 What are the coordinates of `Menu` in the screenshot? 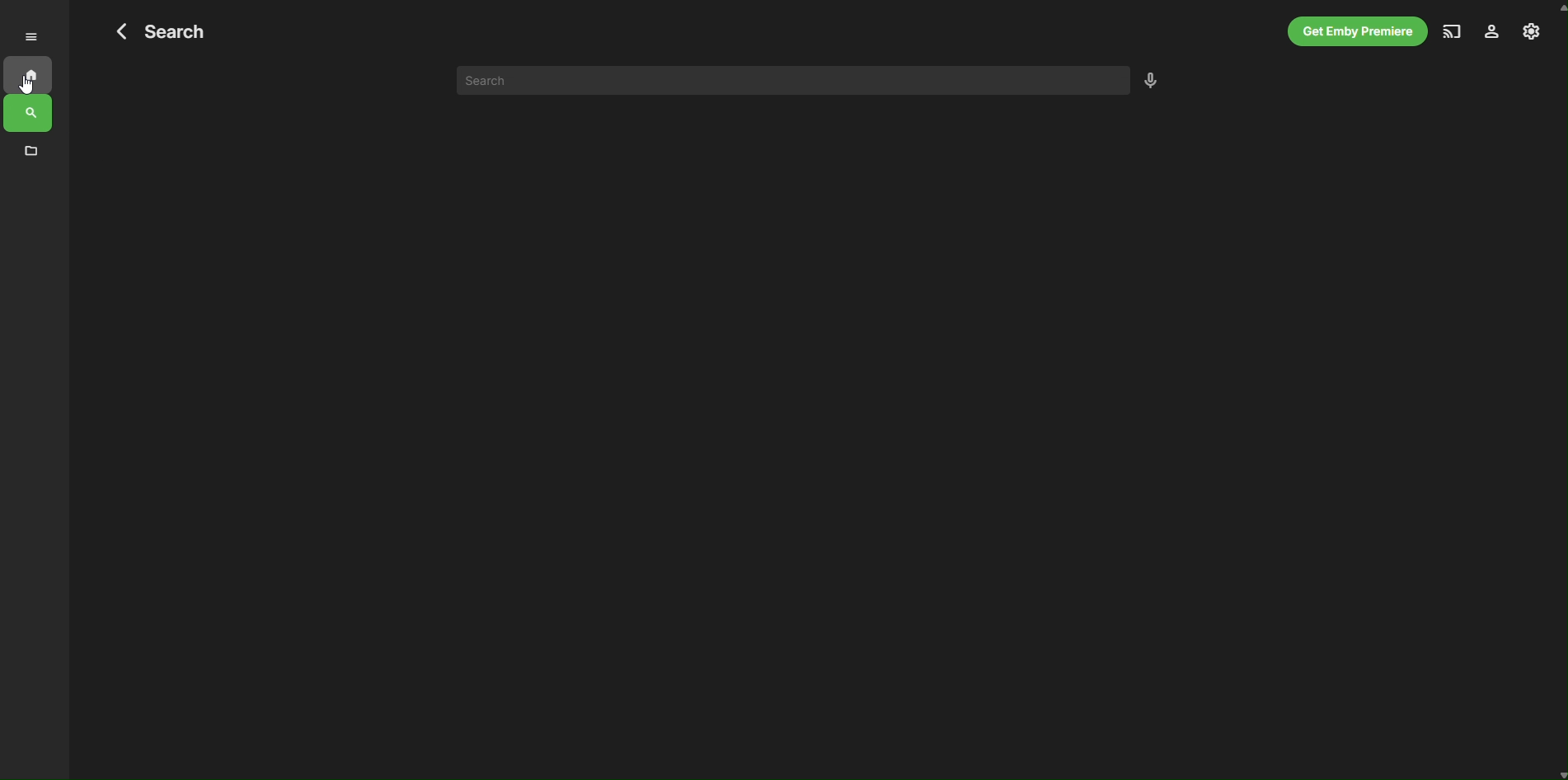 It's located at (31, 35).